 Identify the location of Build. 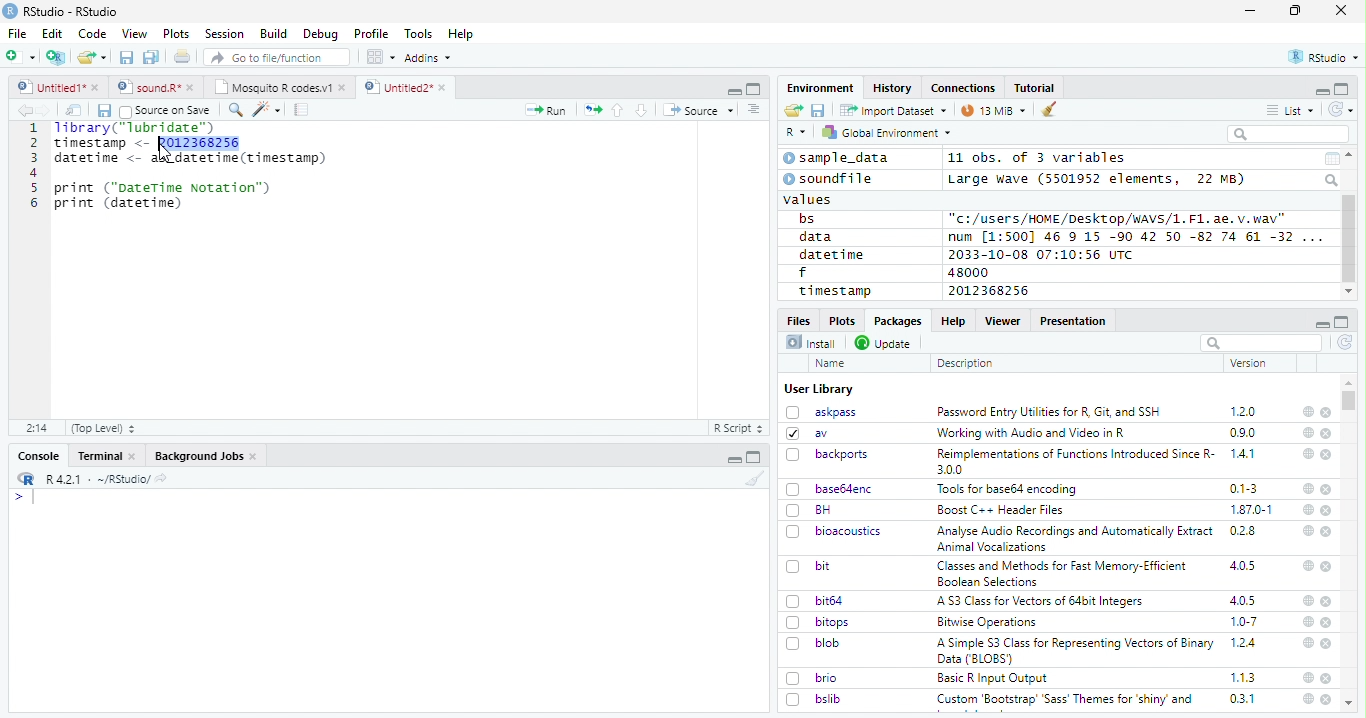
(273, 34).